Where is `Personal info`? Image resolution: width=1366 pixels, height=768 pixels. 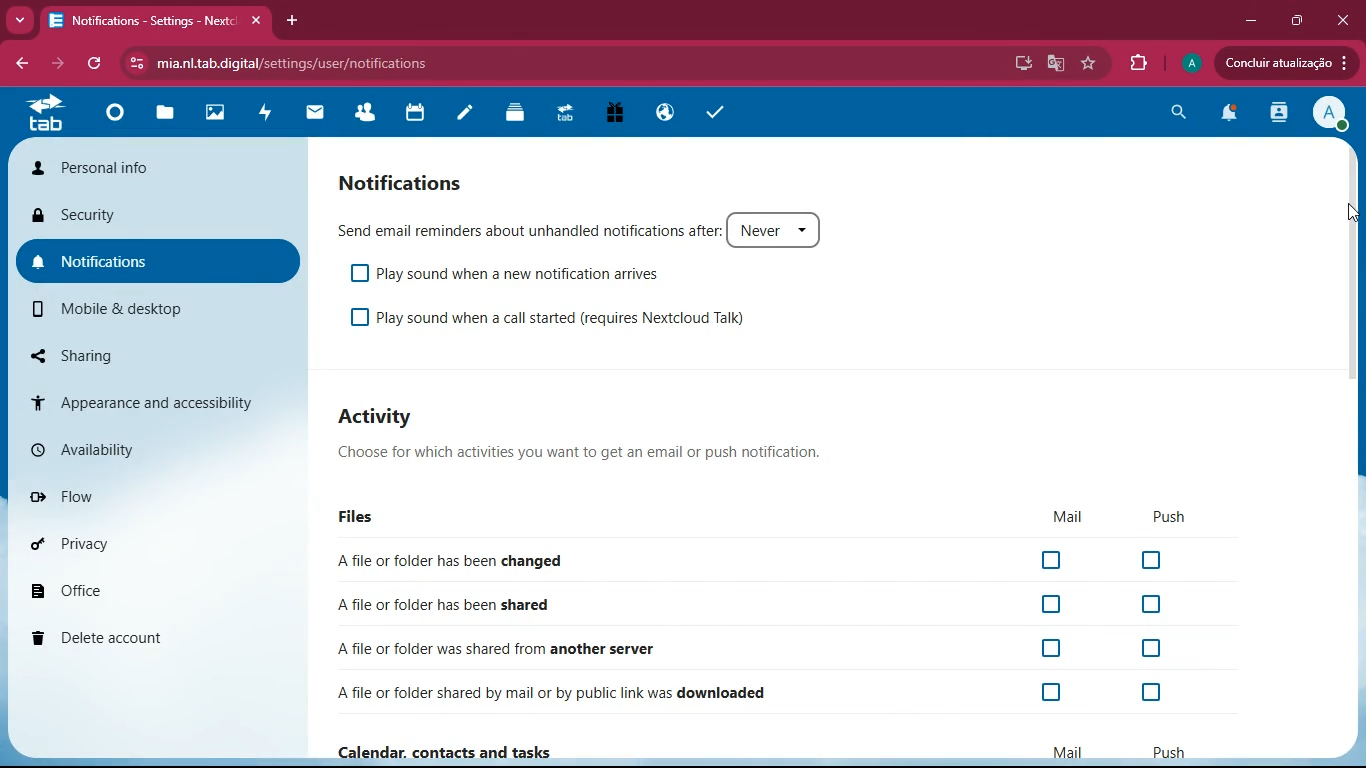
Personal info is located at coordinates (160, 167).